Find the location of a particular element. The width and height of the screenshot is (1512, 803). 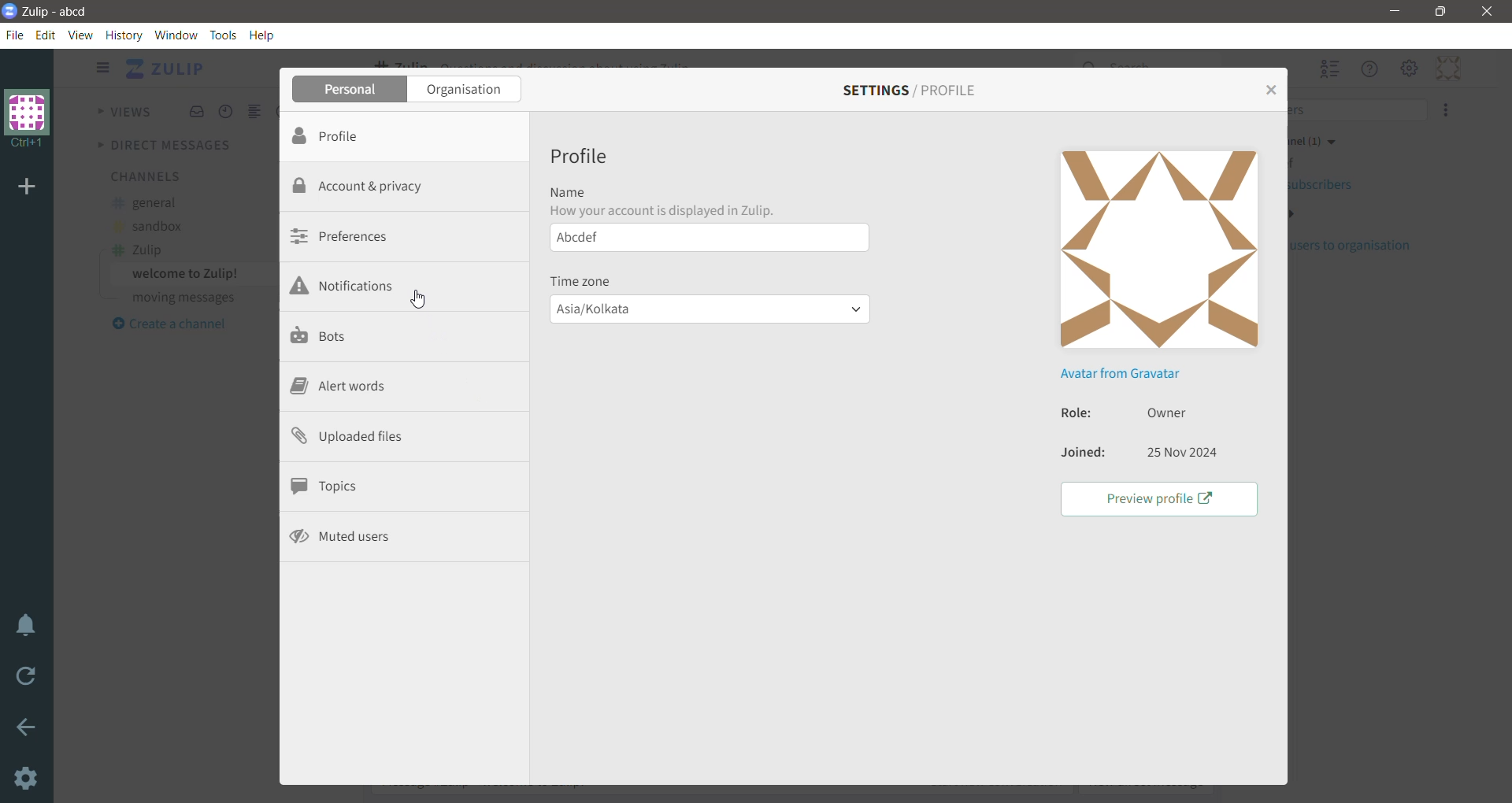

Organisation is located at coordinates (466, 90).